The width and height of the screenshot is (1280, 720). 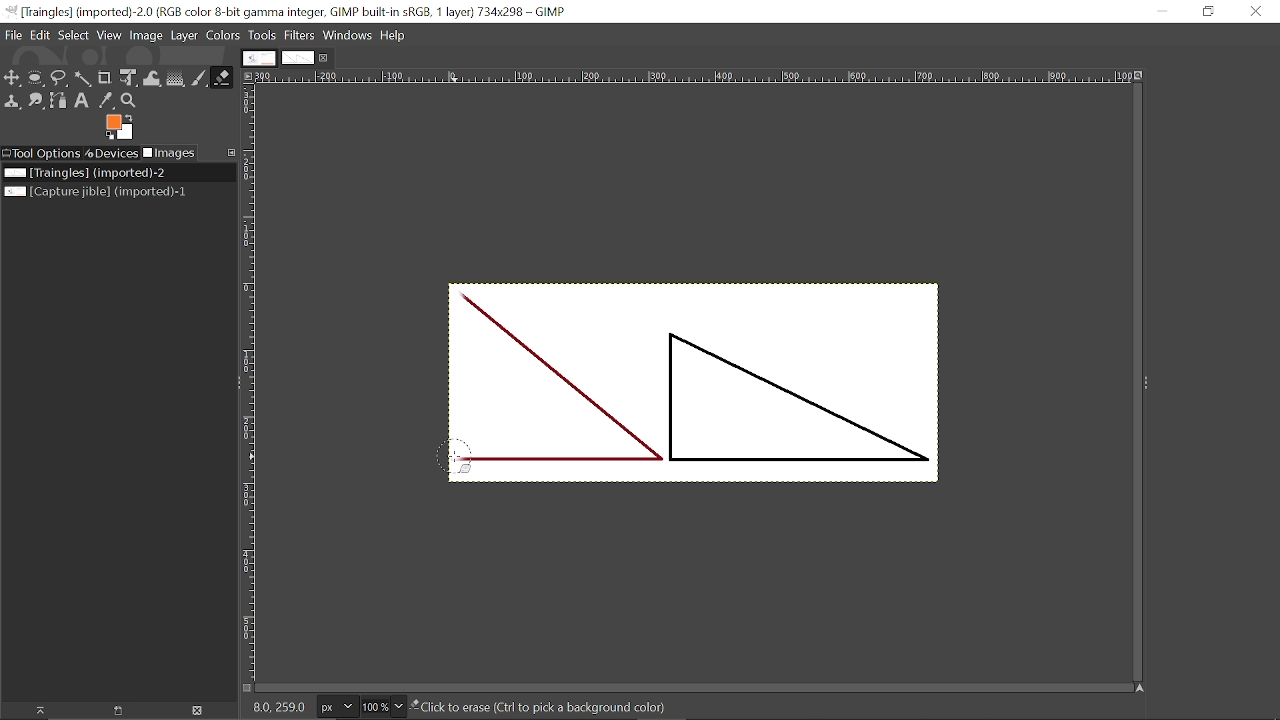 What do you see at coordinates (1142, 77) in the screenshot?
I see `Zoom when window size changes` at bounding box center [1142, 77].